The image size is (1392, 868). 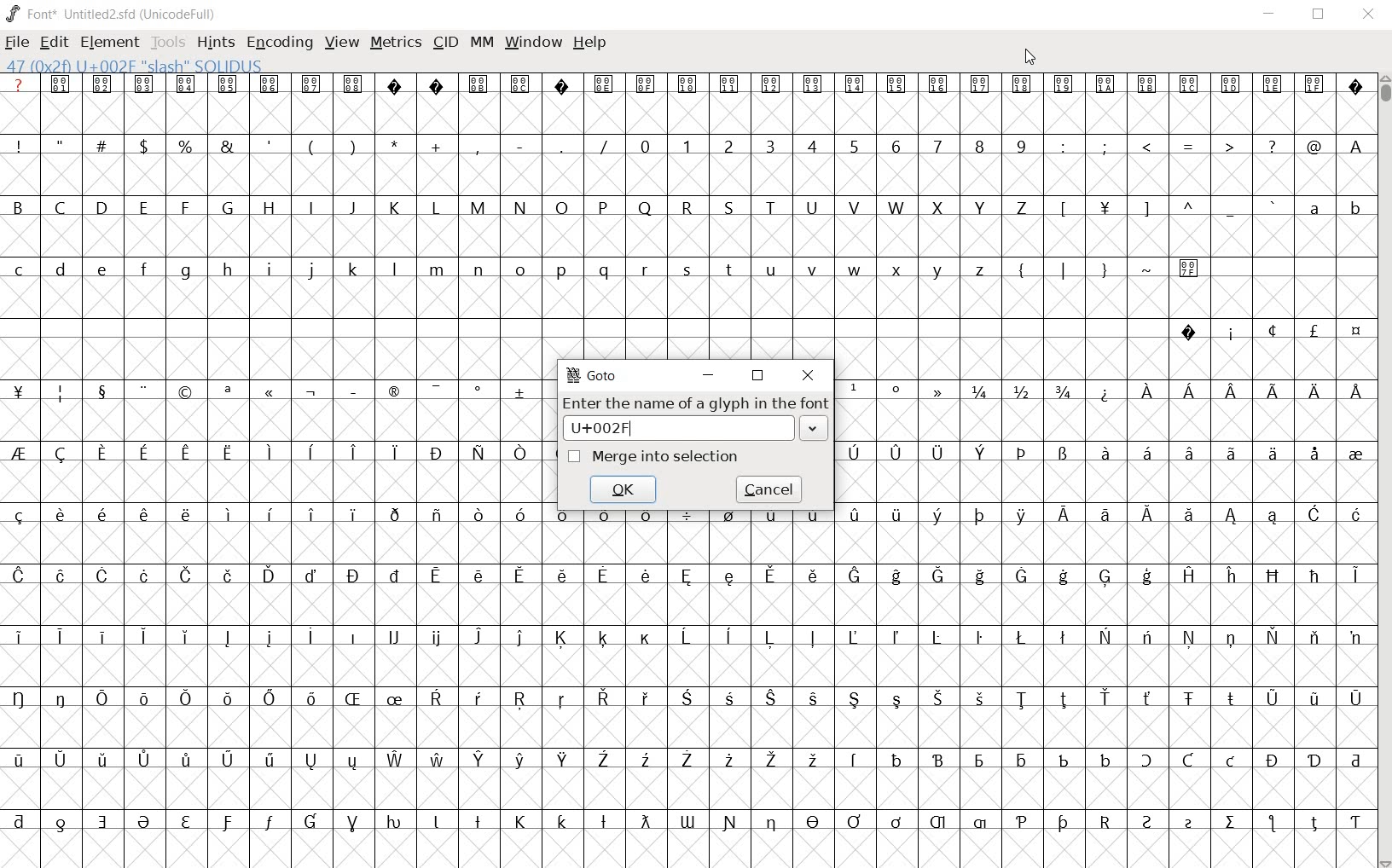 I want to click on VIEW, so click(x=342, y=43).